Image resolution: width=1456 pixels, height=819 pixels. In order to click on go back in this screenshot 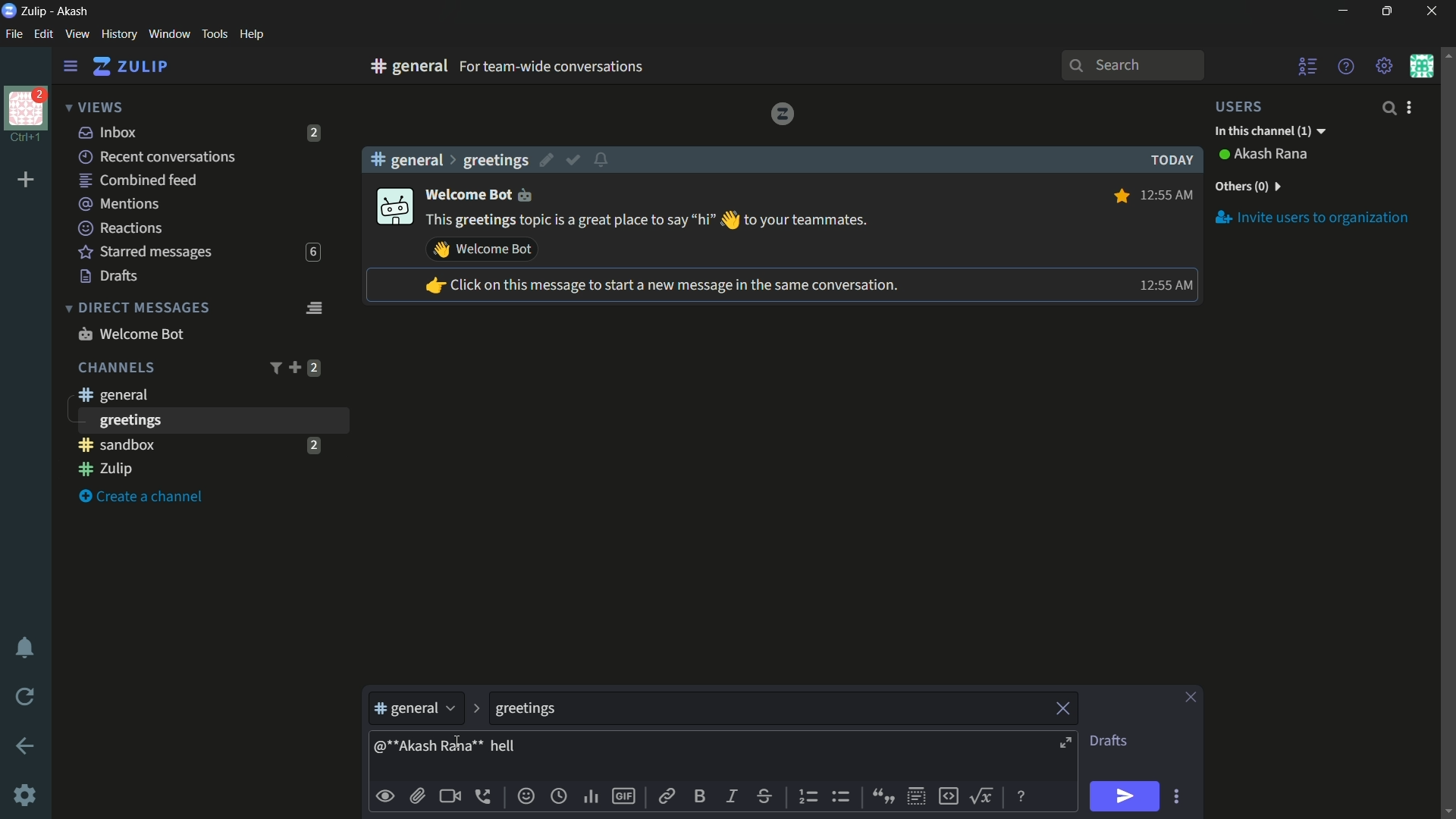, I will do `click(26, 747)`.